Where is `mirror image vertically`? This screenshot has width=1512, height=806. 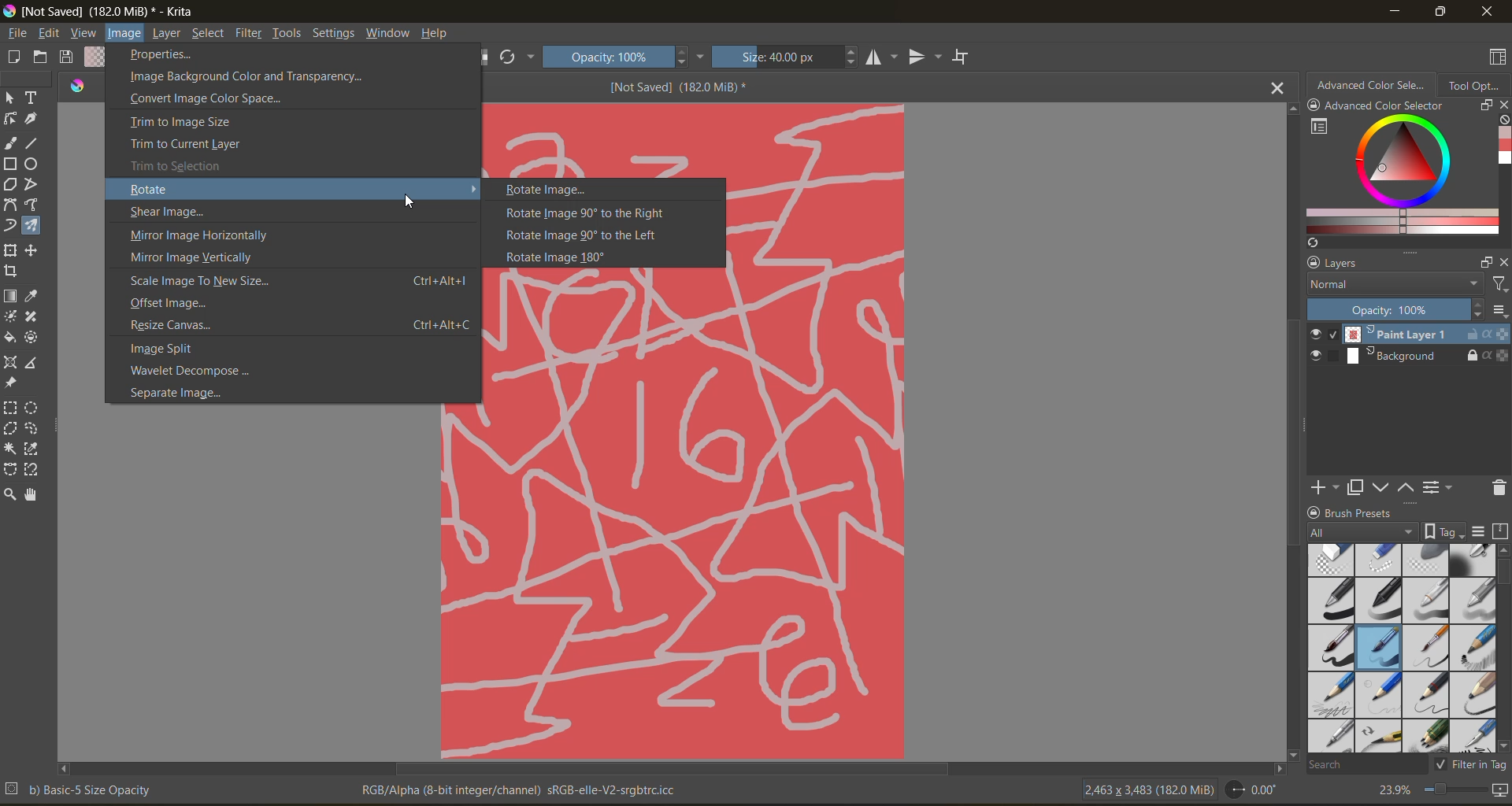 mirror image vertically is located at coordinates (200, 258).